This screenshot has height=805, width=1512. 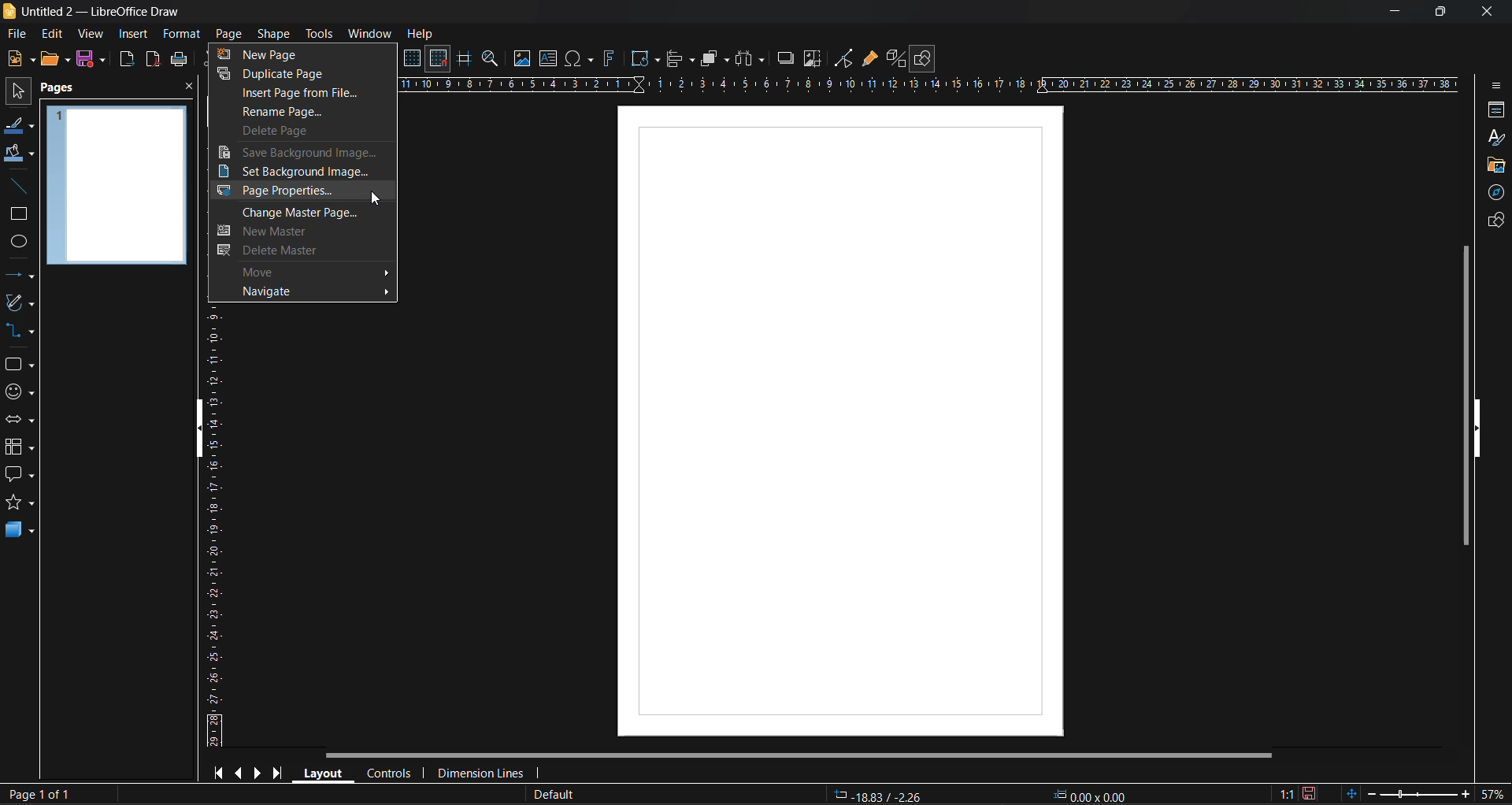 What do you see at coordinates (128, 59) in the screenshot?
I see `export` at bounding box center [128, 59].